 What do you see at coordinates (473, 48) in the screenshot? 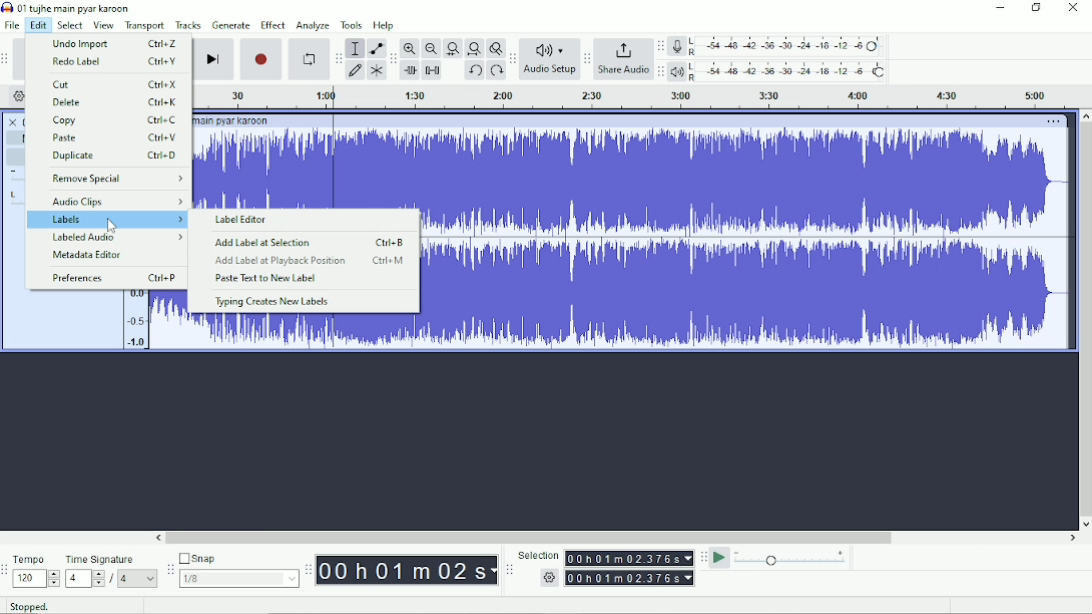
I see `Fit project to width` at bounding box center [473, 48].